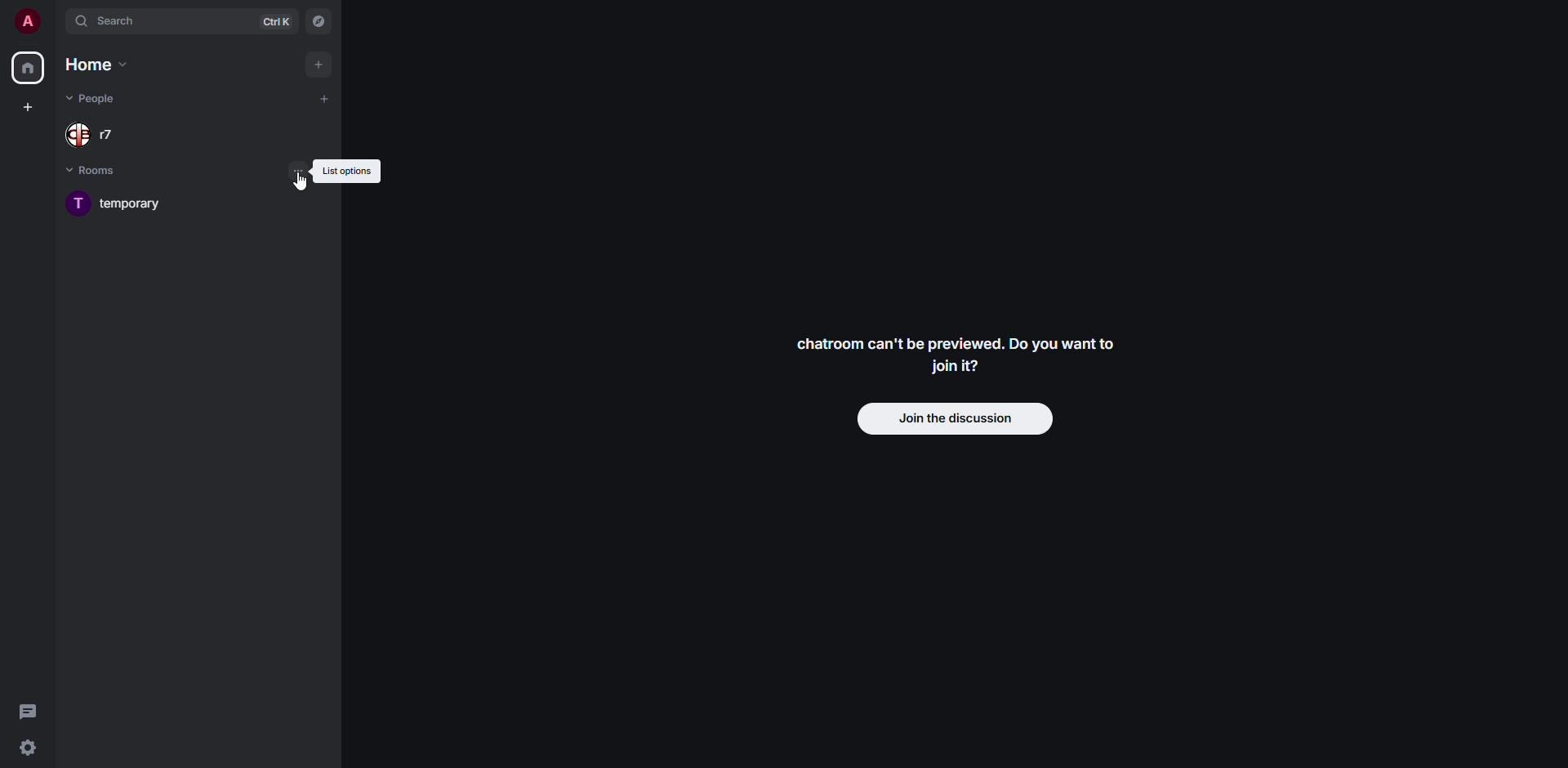  What do you see at coordinates (96, 96) in the screenshot?
I see `people` at bounding box center [96, 96].